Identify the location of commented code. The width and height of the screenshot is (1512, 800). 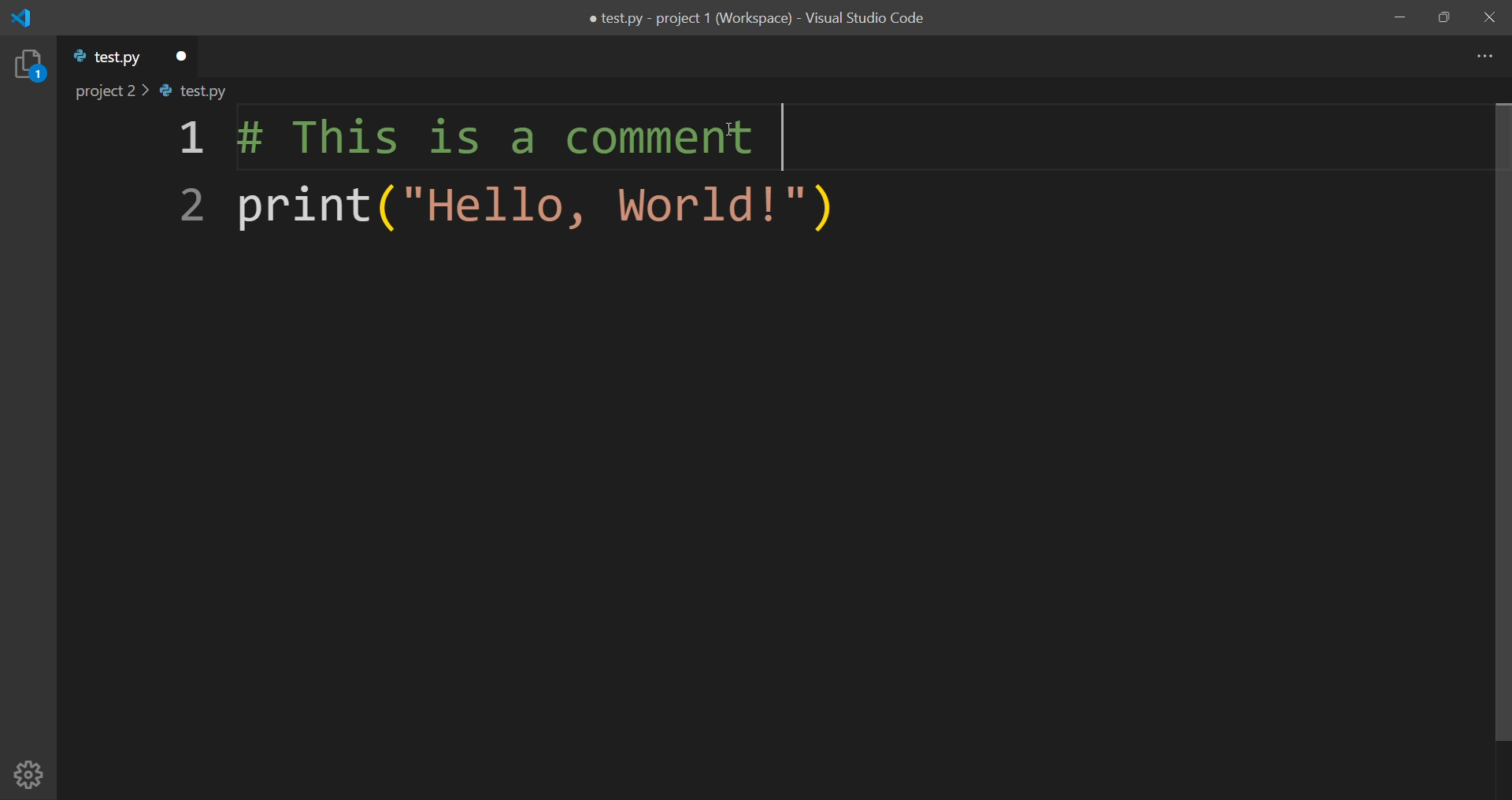
(486, 141).